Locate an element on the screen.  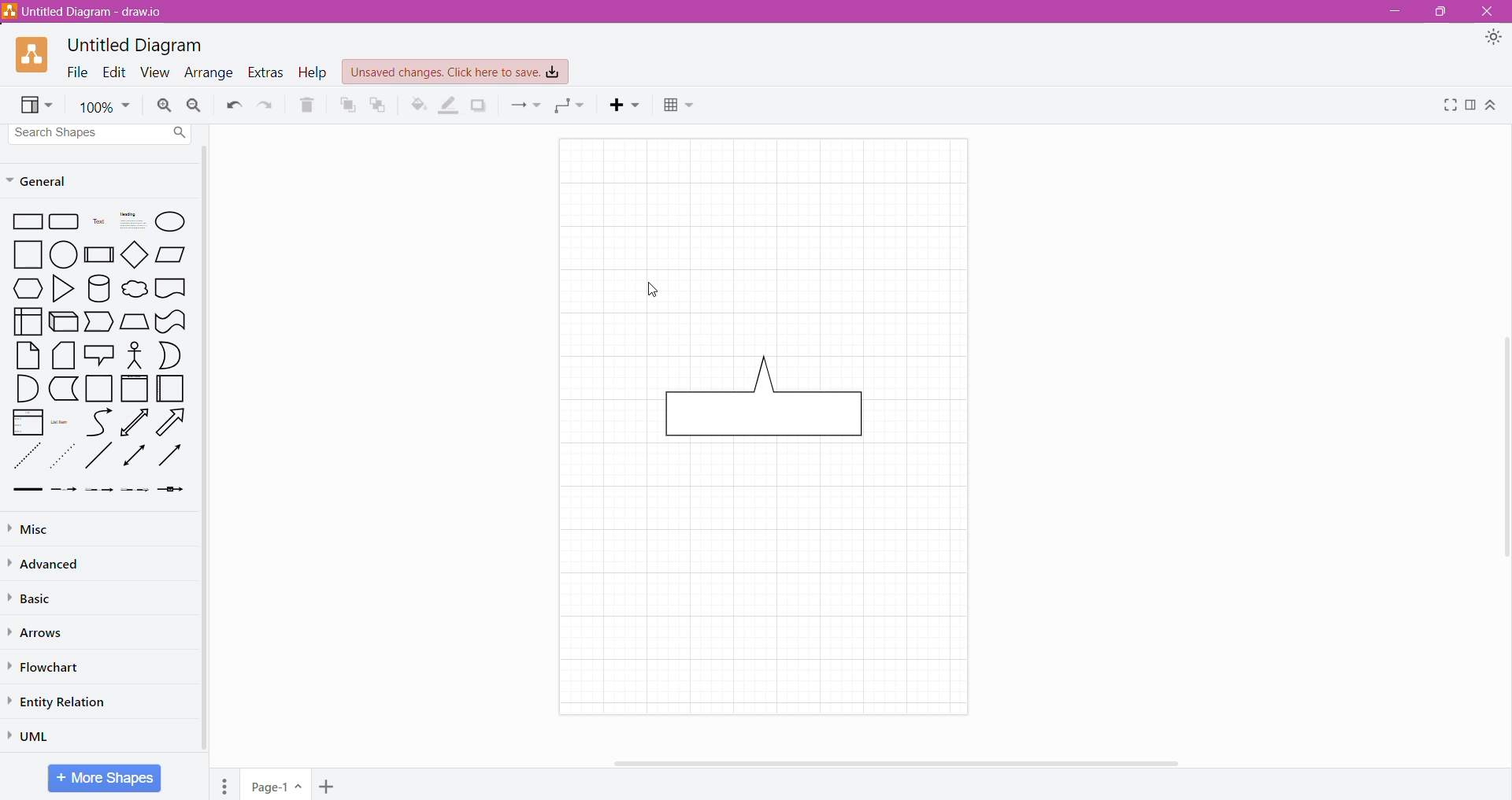
Shape on canvas flipped vertically is located at coordinates (773, 409).